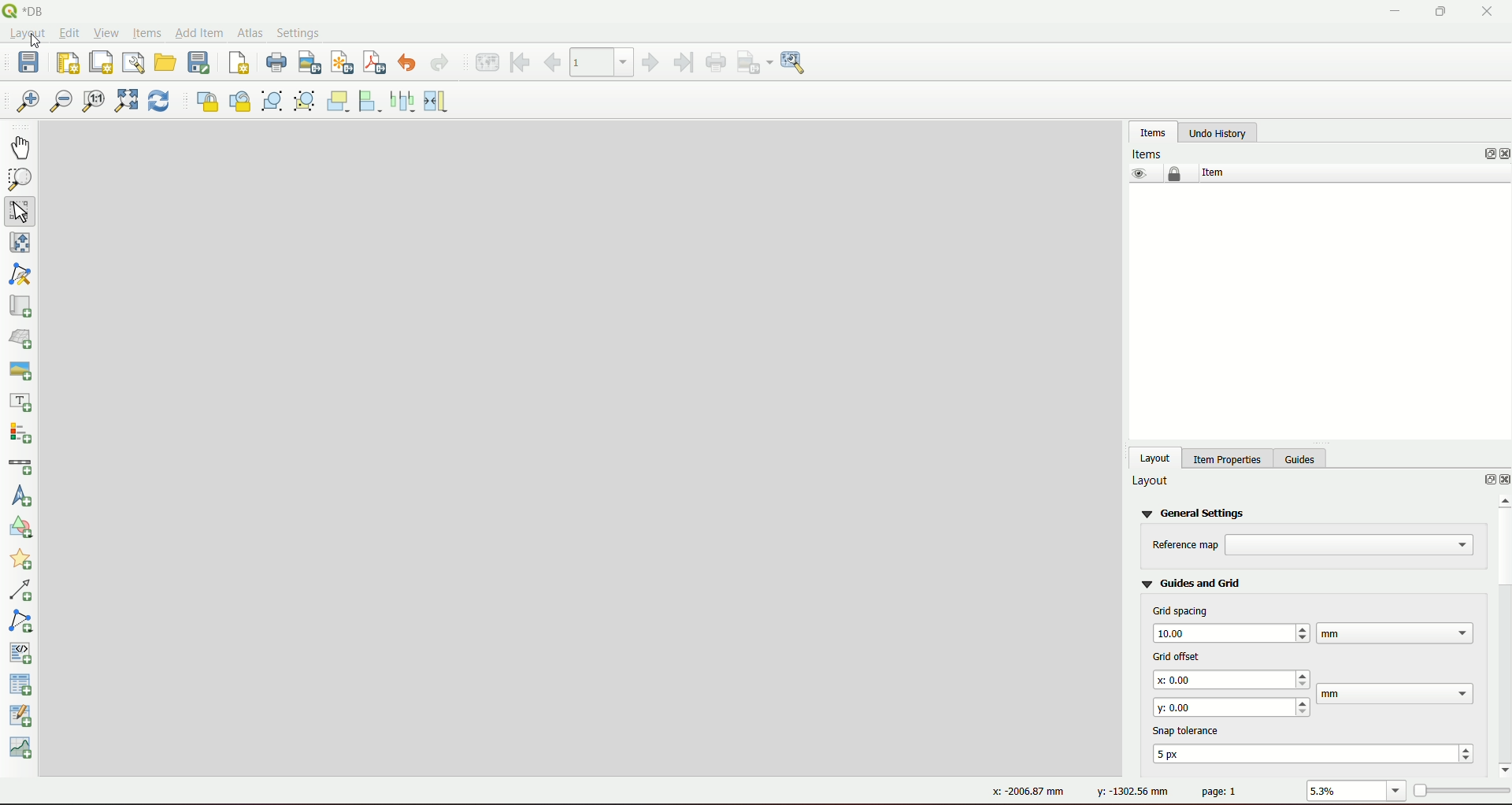  I want to click on maximize, so click(1436, 12).